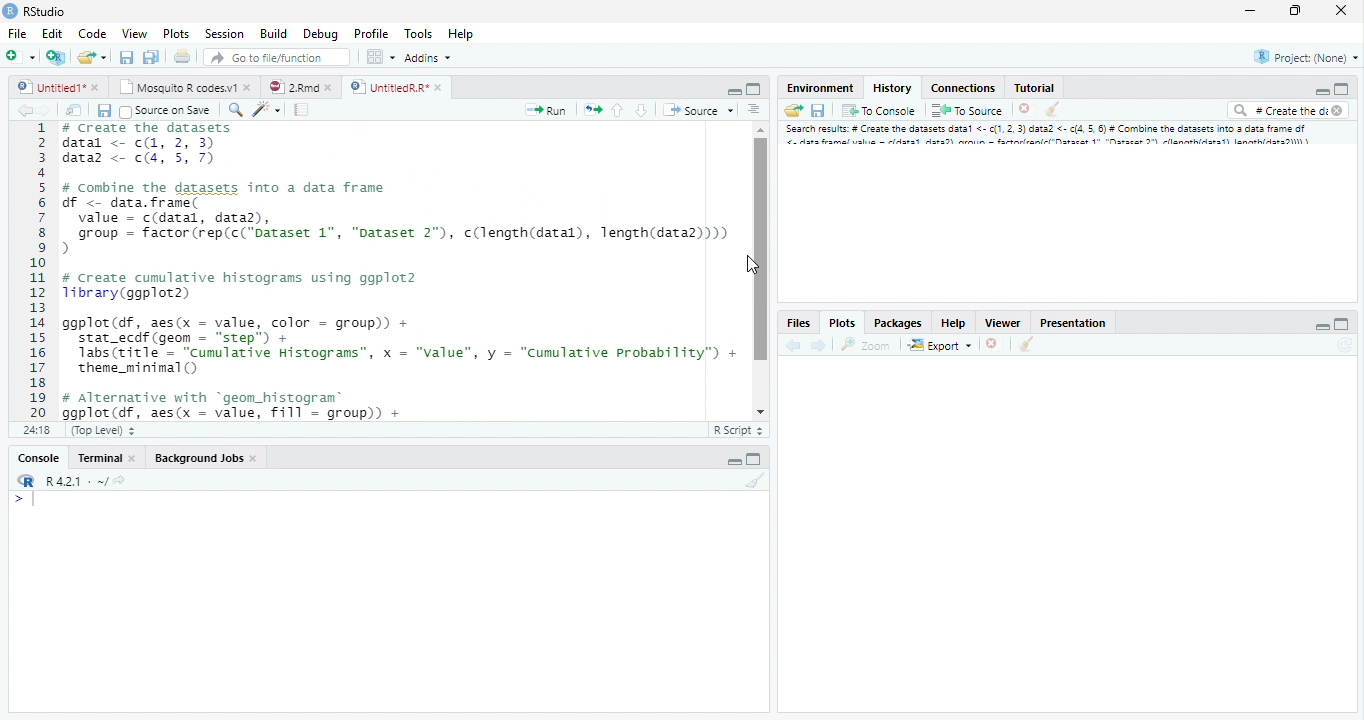 This screenshot has height=720, width=1364. Describe the element at coordinates (105, 428) in the screenshot. I see `Top level` at that location.